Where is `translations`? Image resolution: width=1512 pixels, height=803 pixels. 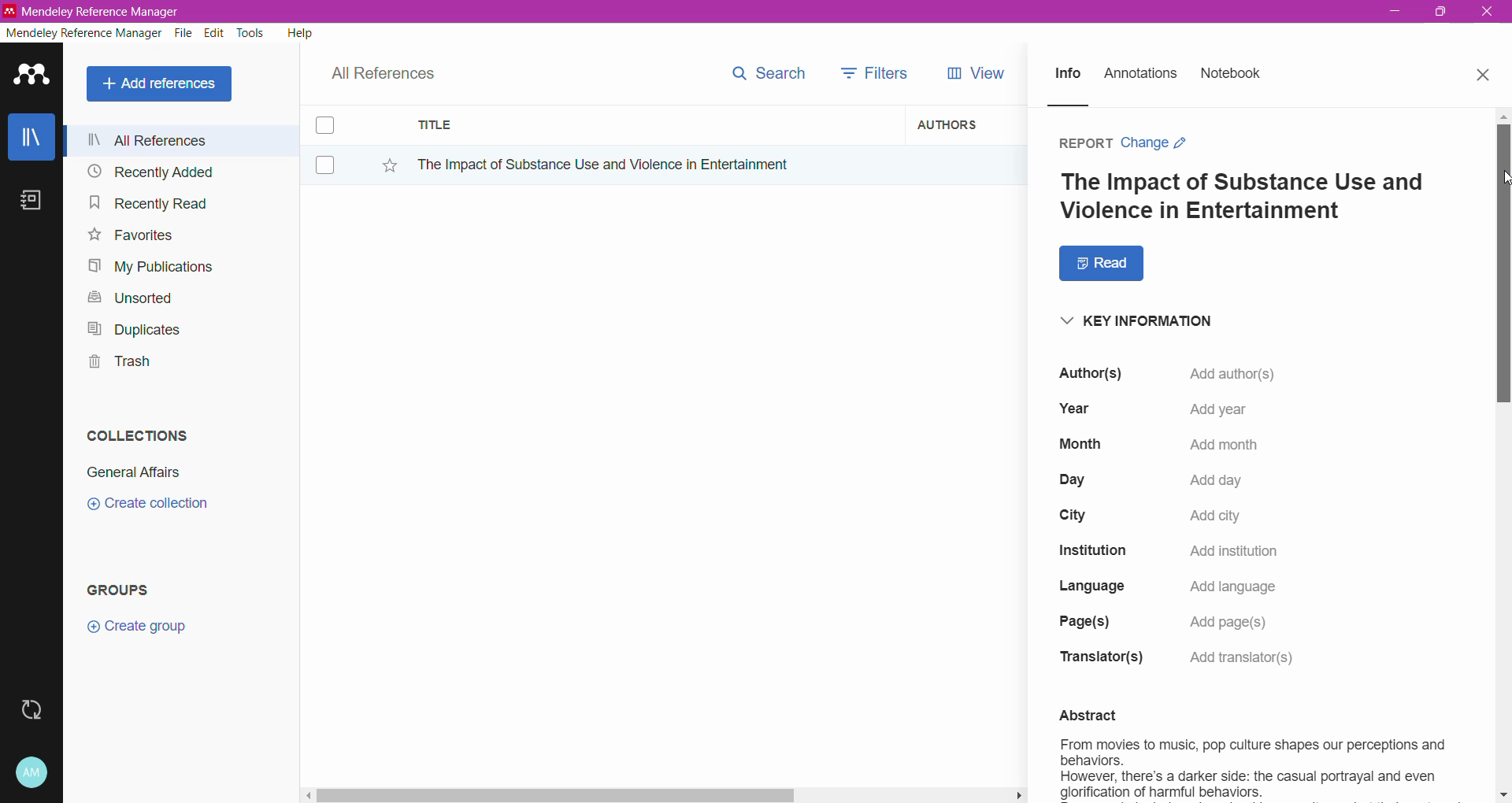
translations is located at coordinates (1182, 658).